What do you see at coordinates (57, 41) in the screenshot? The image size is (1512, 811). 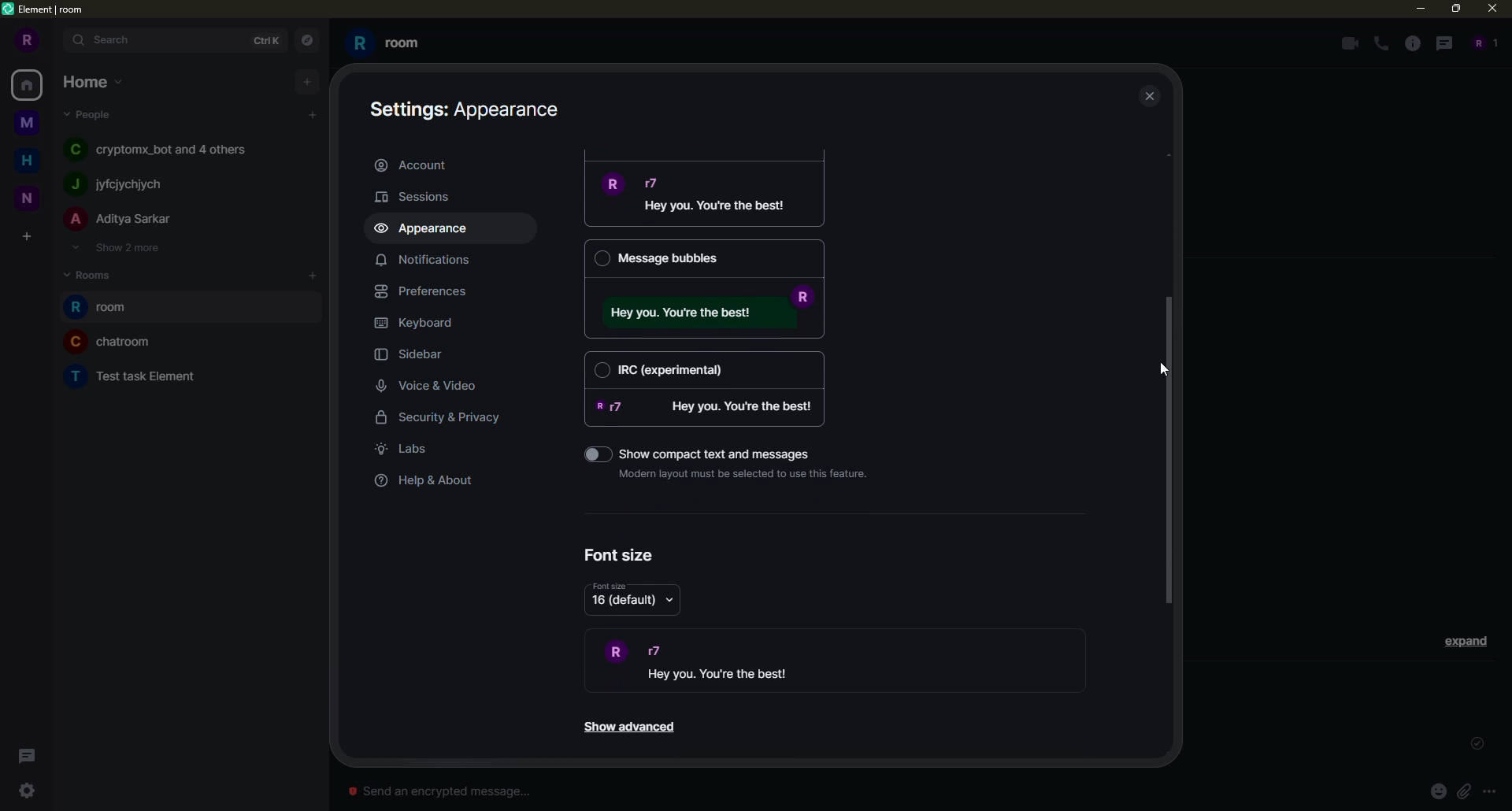 I see `expand` at bounding box center [57, 41].